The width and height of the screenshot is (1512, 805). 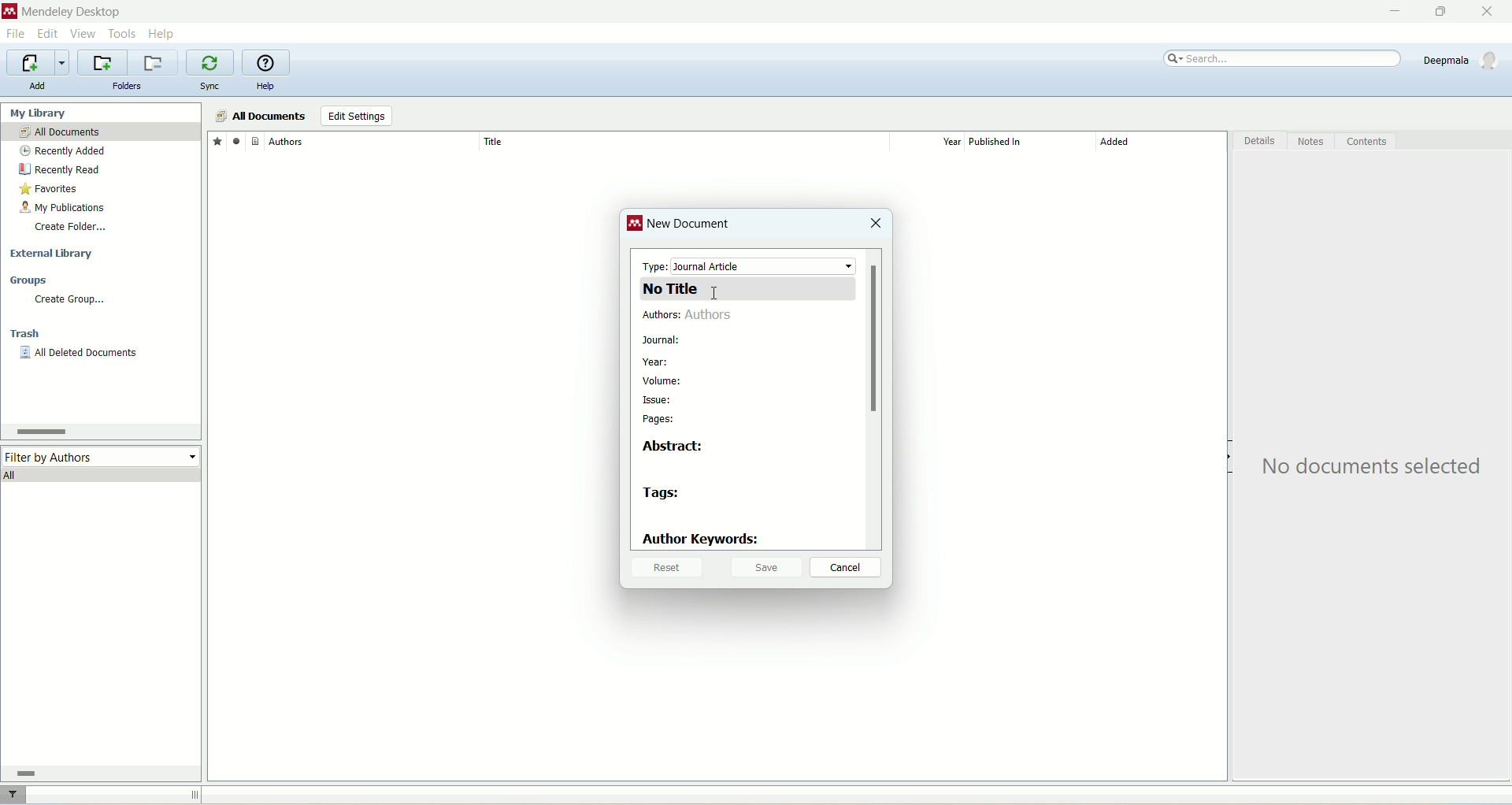 What do you see at coordinates (1313, 142) in the screenshot?
I see `notes` at bounding box center [1313, 142].